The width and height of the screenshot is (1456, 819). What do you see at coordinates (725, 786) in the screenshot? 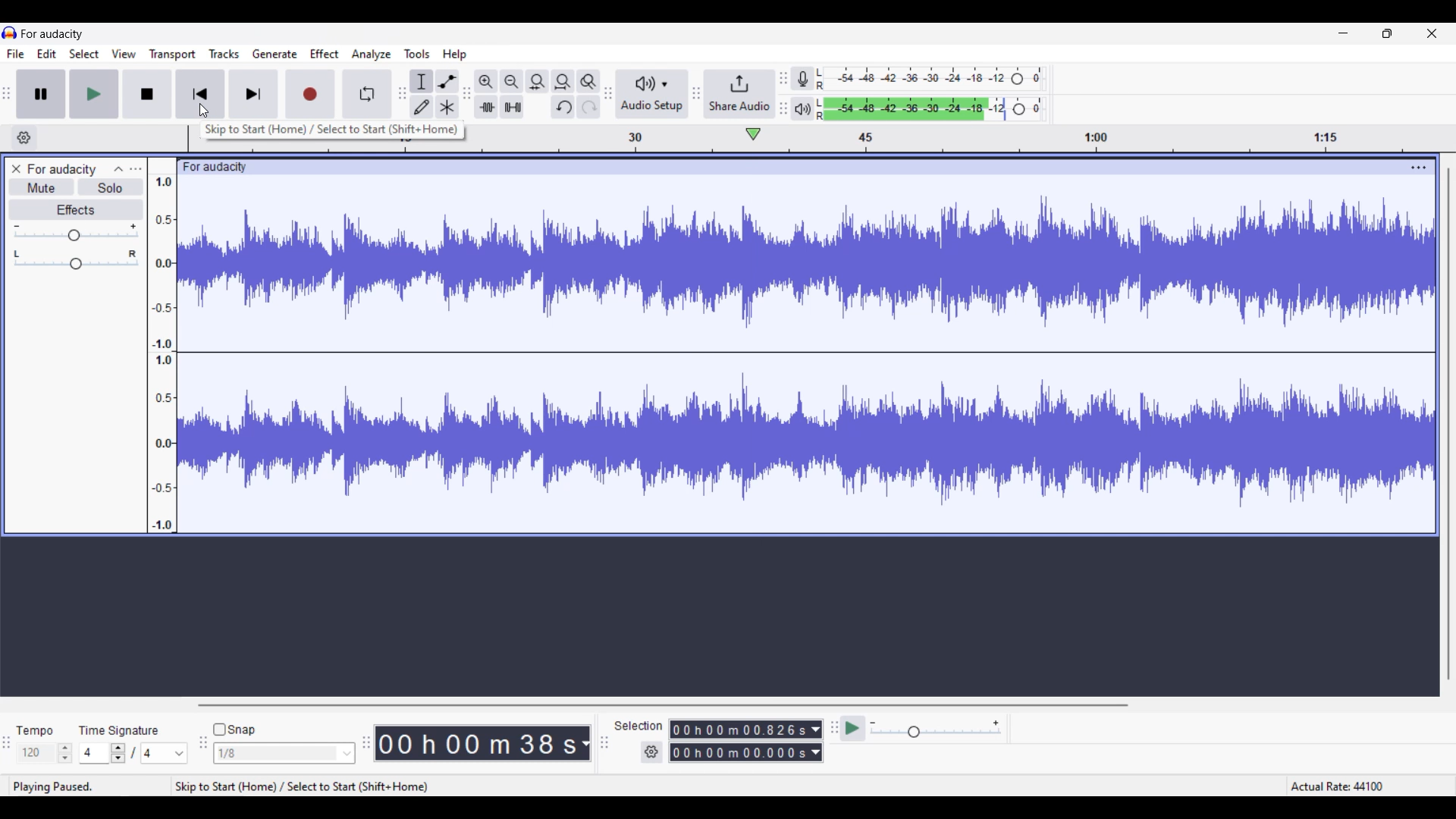
I see `playing paused. skip to start (home)/select to start (shift+home).  actual rate: 44100` at bounding box center [725, 786].